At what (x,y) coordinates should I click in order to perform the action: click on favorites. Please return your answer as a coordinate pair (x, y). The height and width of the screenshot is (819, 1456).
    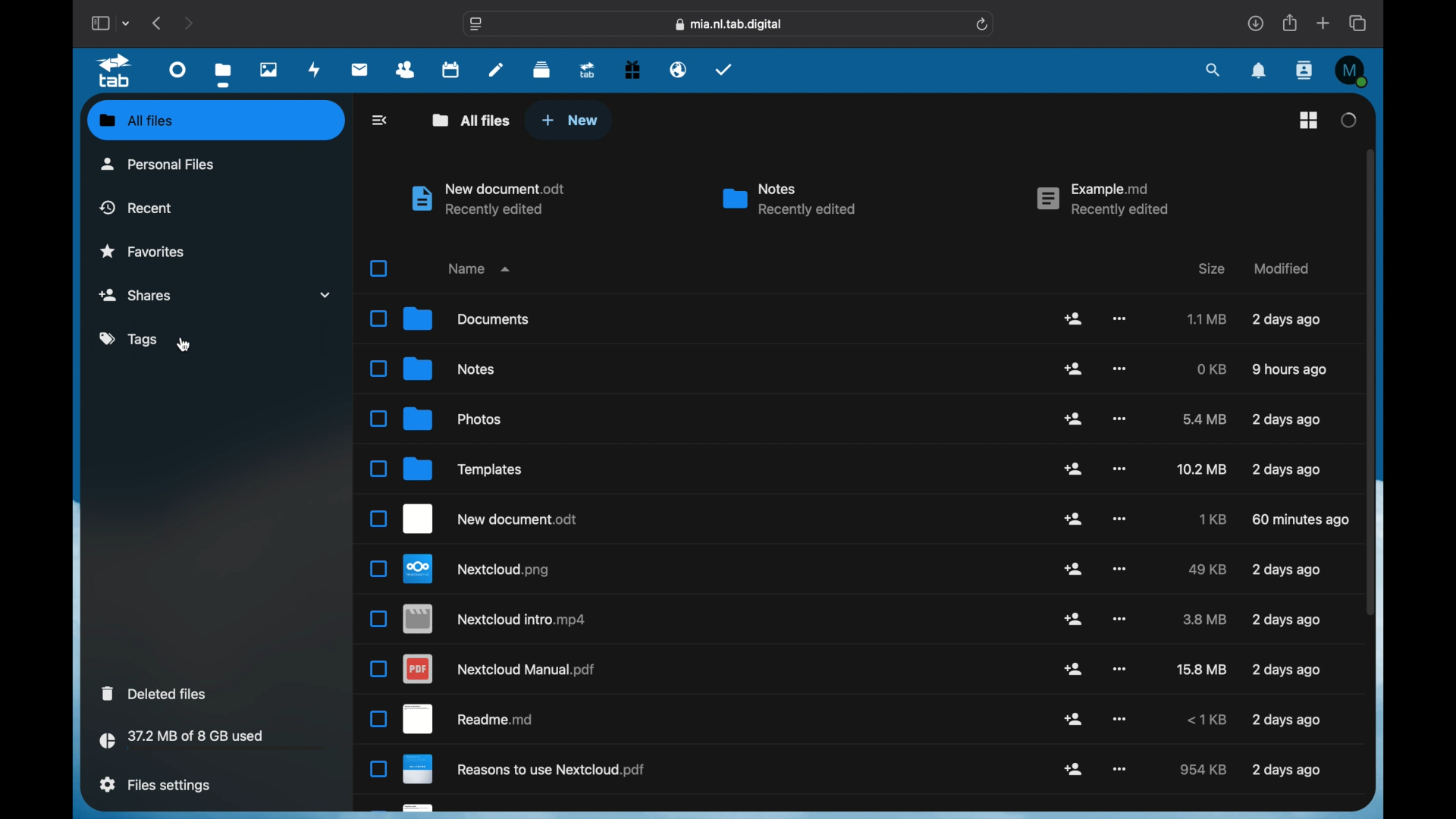
    Looking at the image, I should click on (142, 250).